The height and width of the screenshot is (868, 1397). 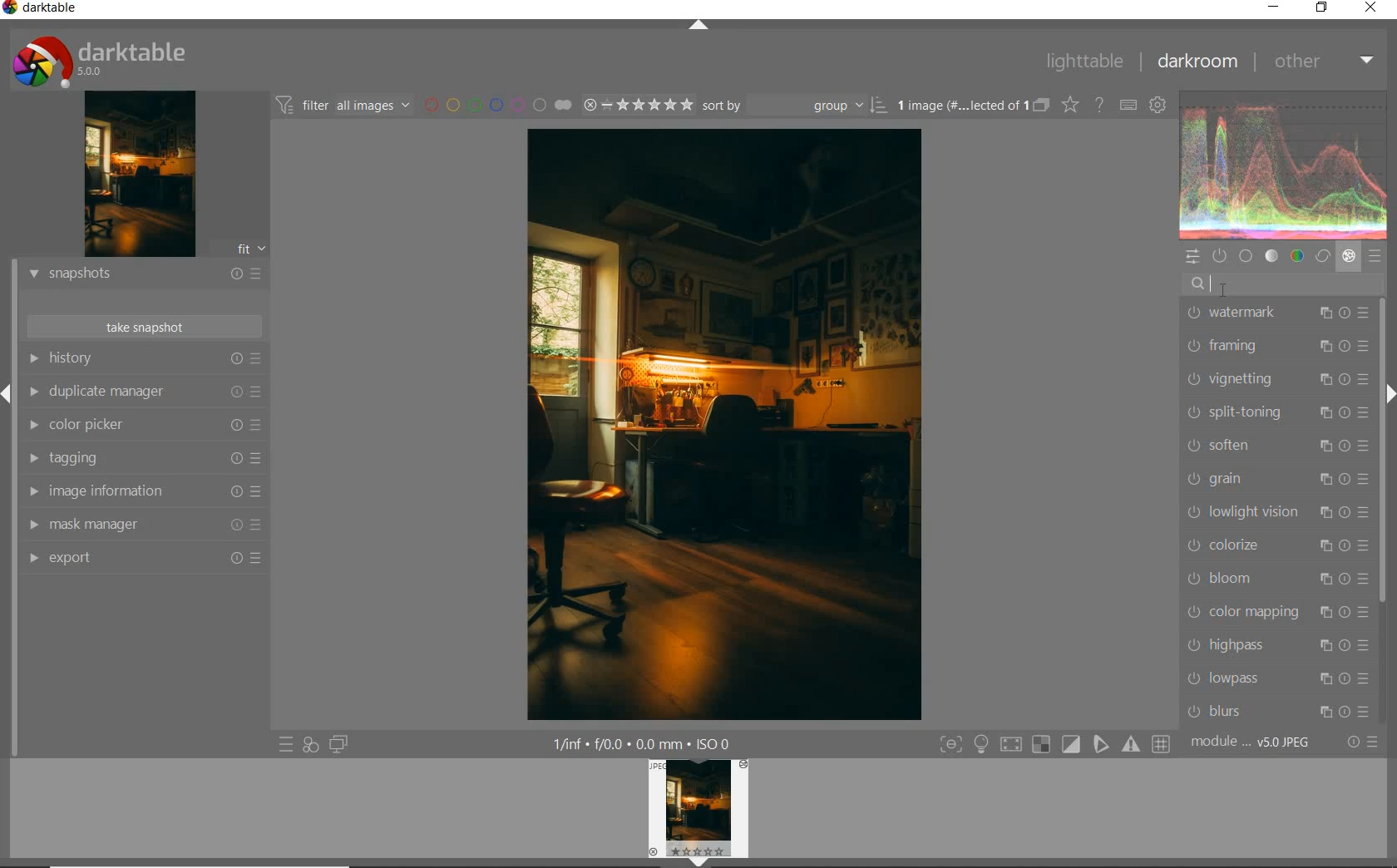 I want to click on color, so click(x=1298, y=255).